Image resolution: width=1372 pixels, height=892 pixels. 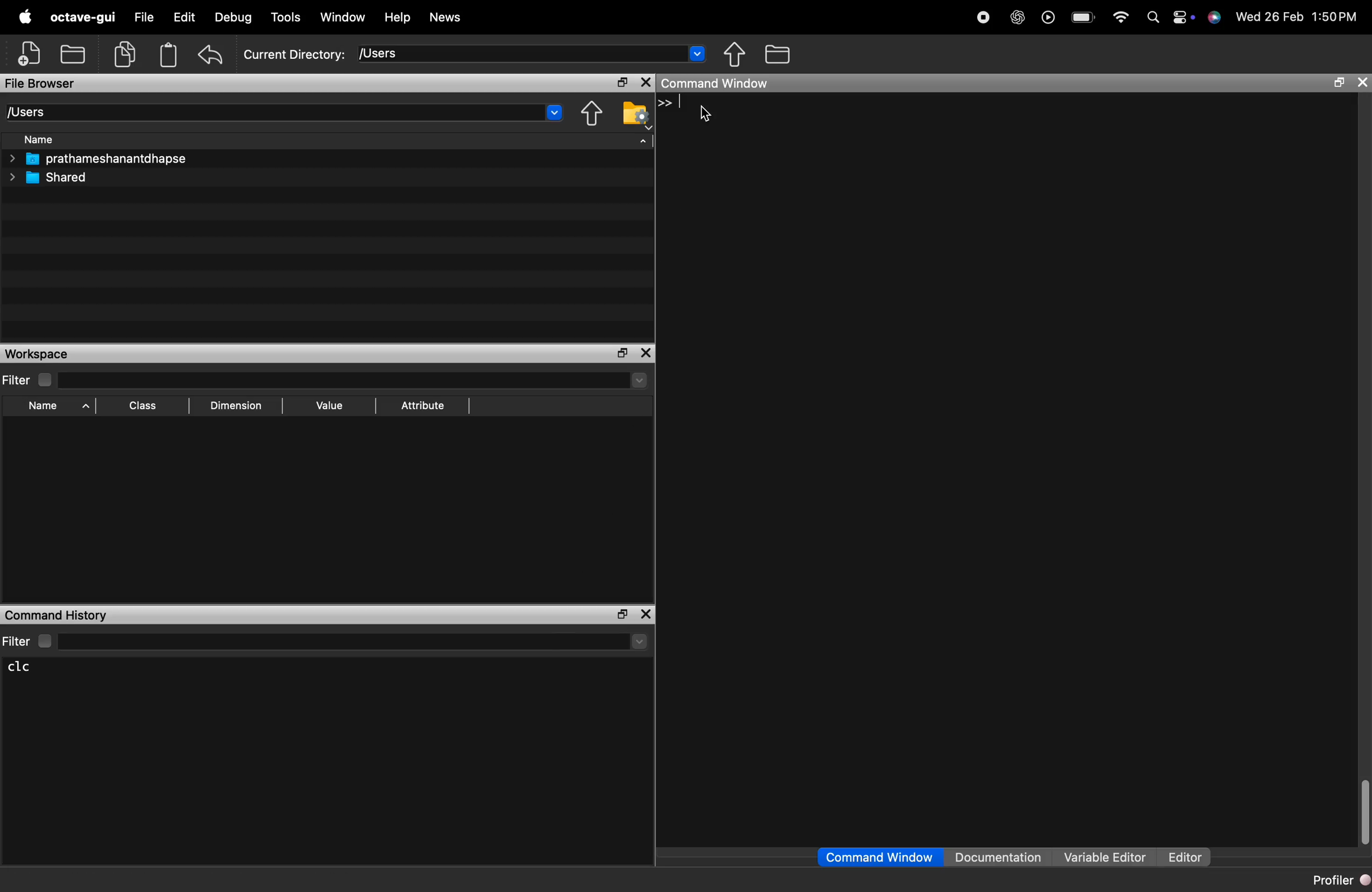 I want to click on Command Window, so click(x=717, y=83).